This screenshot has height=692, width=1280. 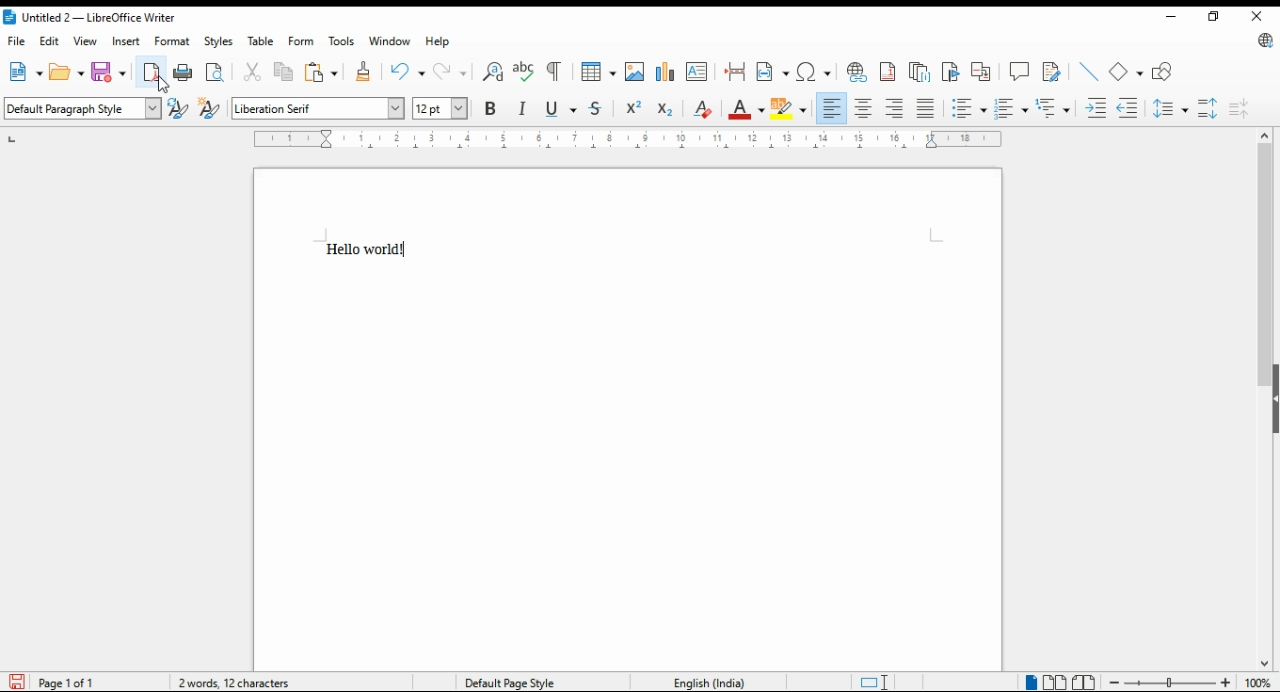 What do you see at coordinates (57, 681) in the screenshot?
I see `page information` at bounding box center [57, 681].